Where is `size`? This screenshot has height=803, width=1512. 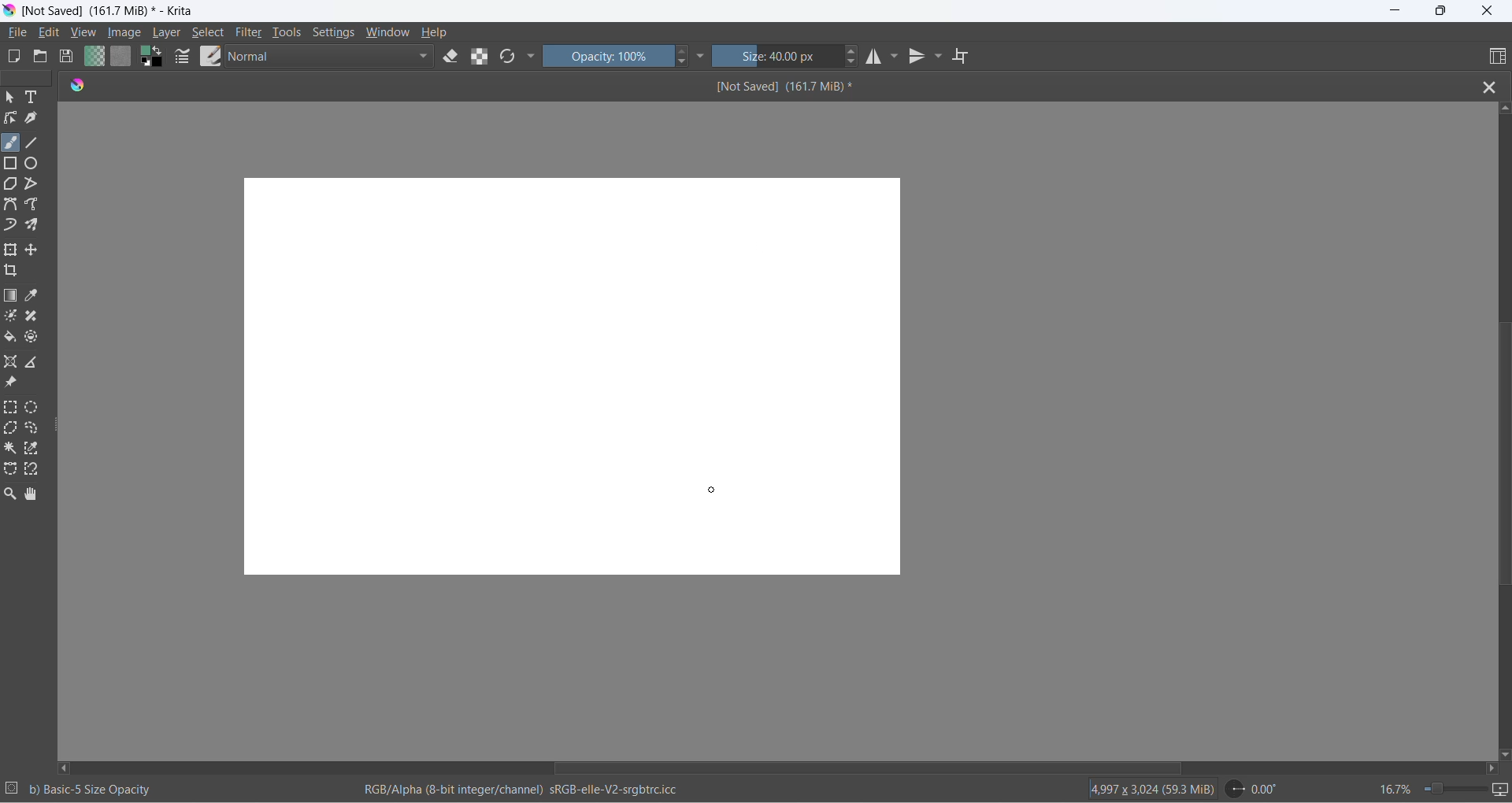
size is located at coordinates (778, 57).